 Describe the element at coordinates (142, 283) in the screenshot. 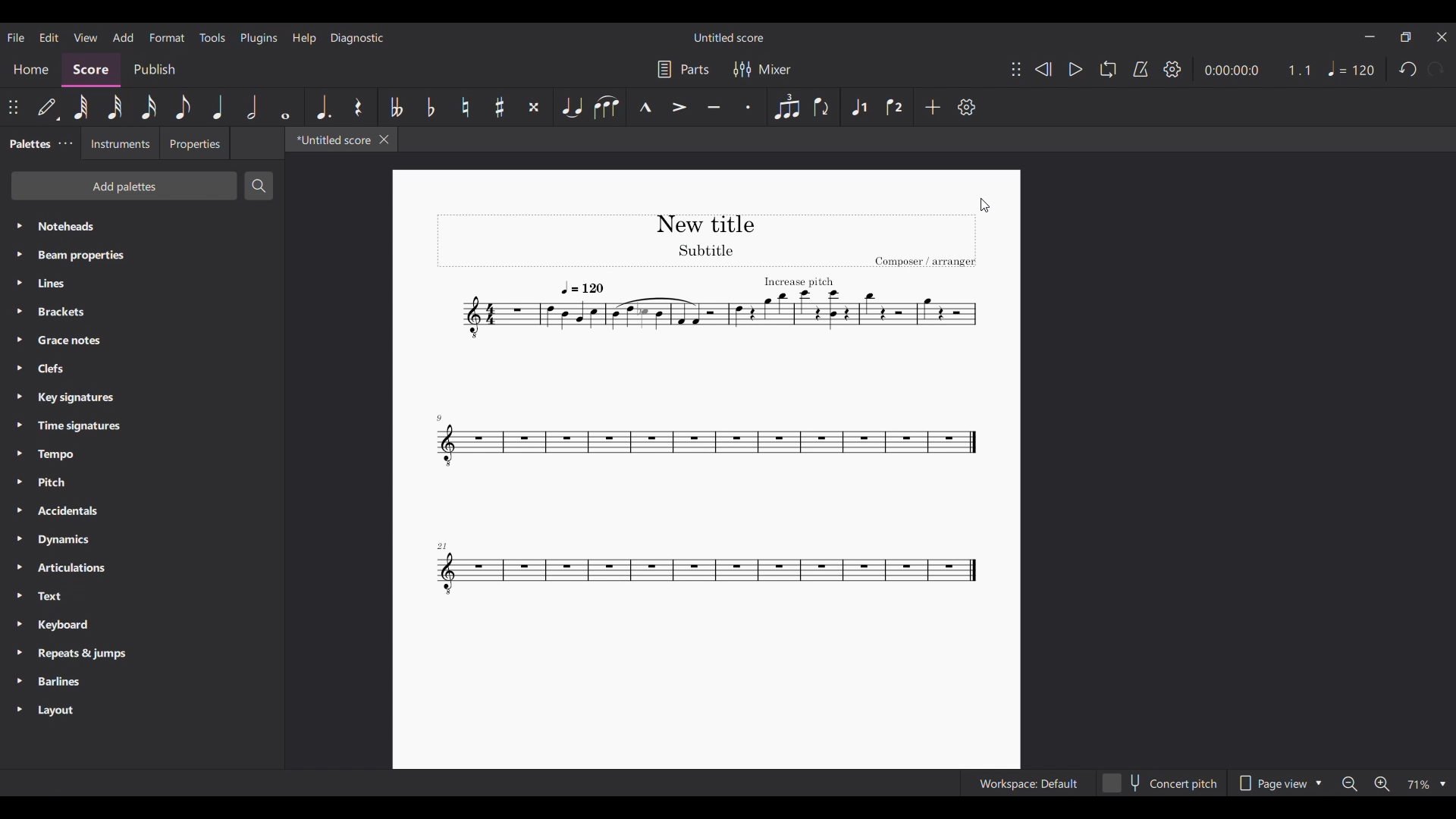

I see `Lines` at that location.